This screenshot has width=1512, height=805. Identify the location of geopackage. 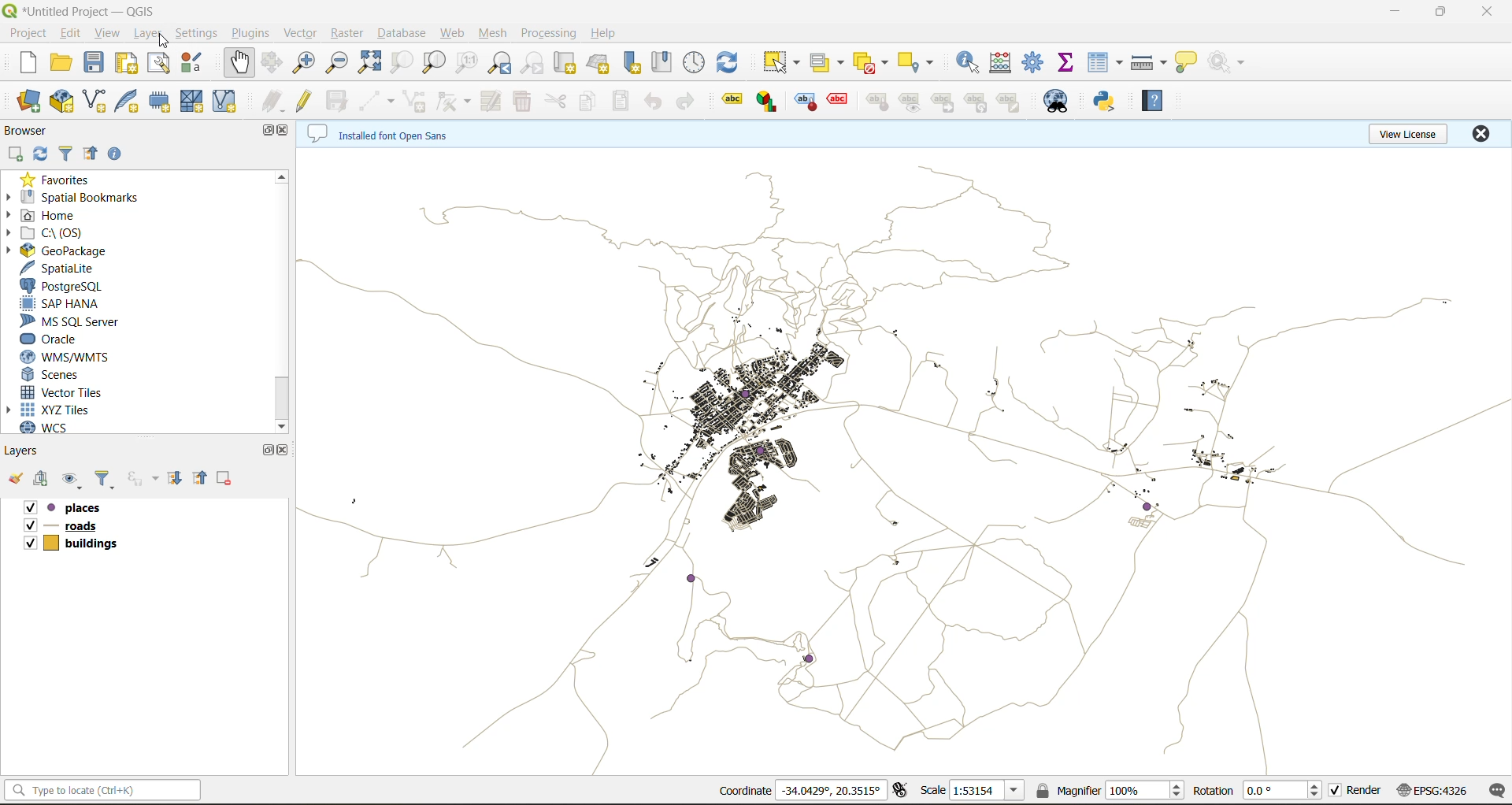
(94, 252).